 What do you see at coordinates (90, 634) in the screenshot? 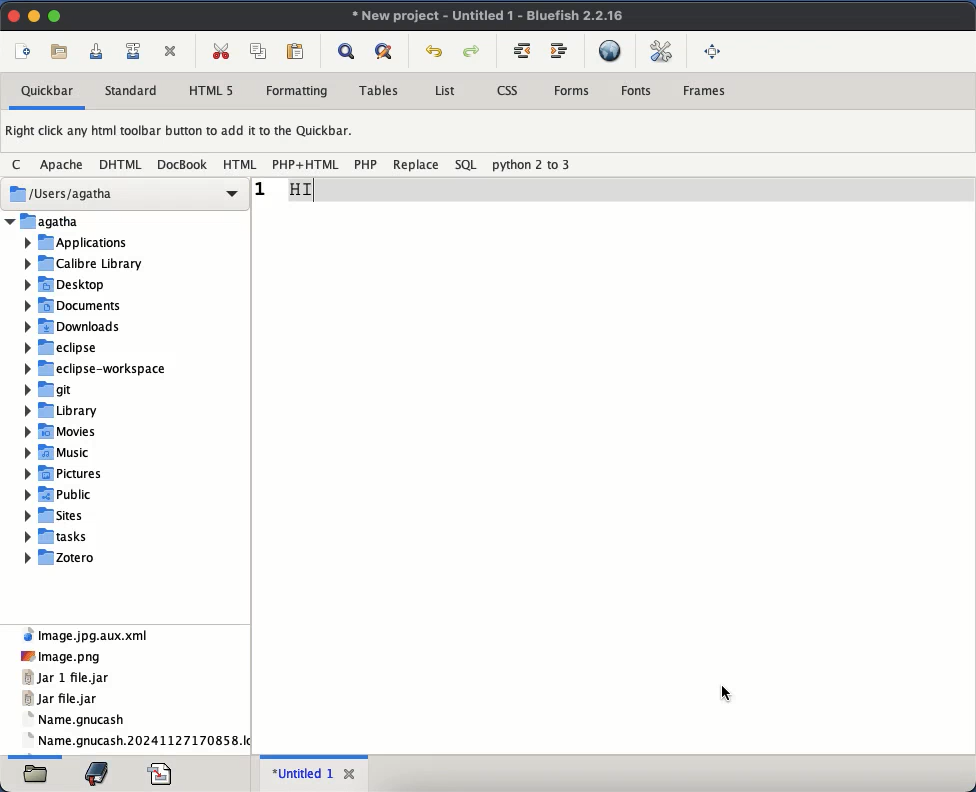
I see `xml` at bounding box center [90, 634].